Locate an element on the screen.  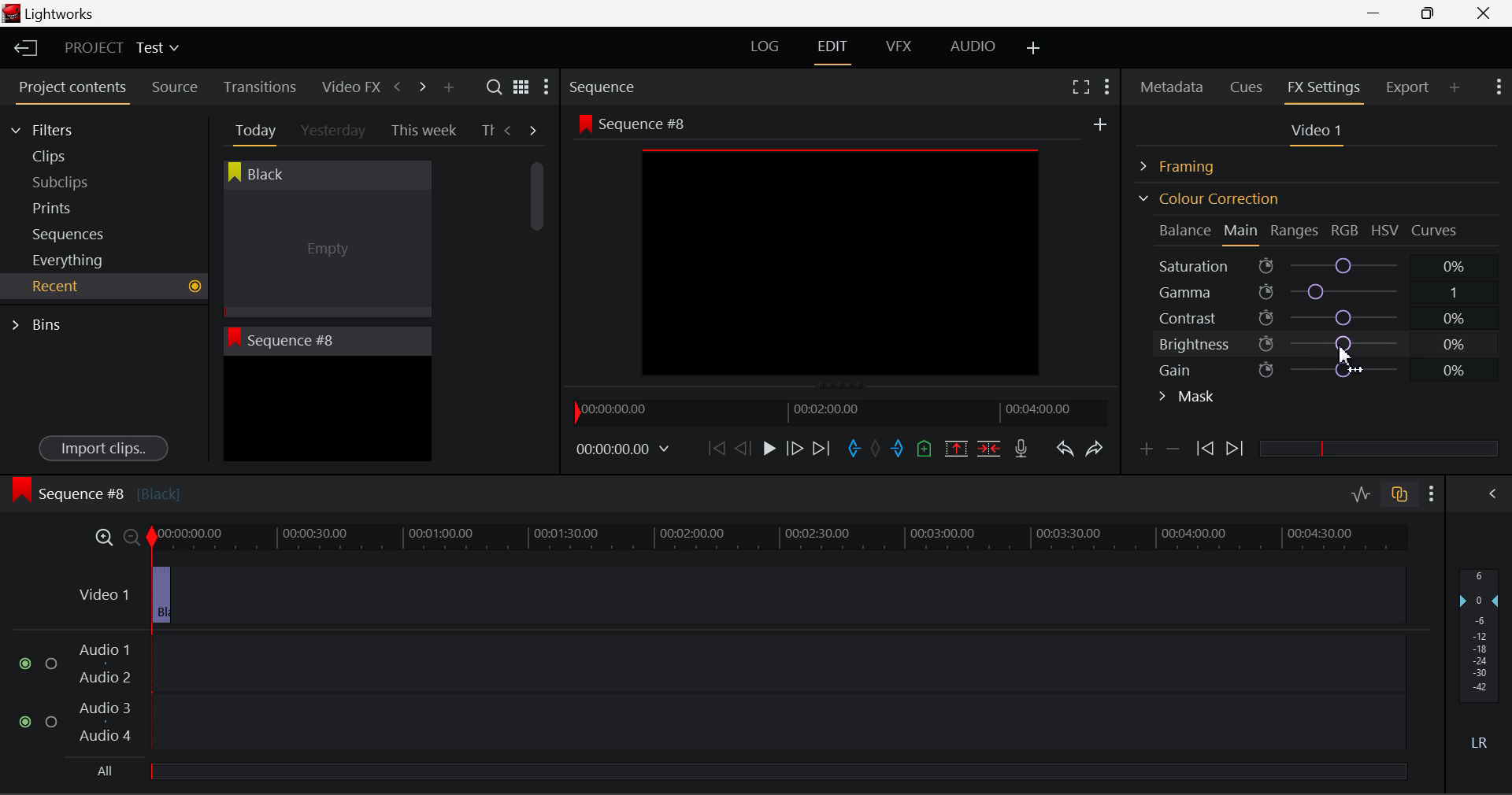
Clips is located at coordinates (77, 156).